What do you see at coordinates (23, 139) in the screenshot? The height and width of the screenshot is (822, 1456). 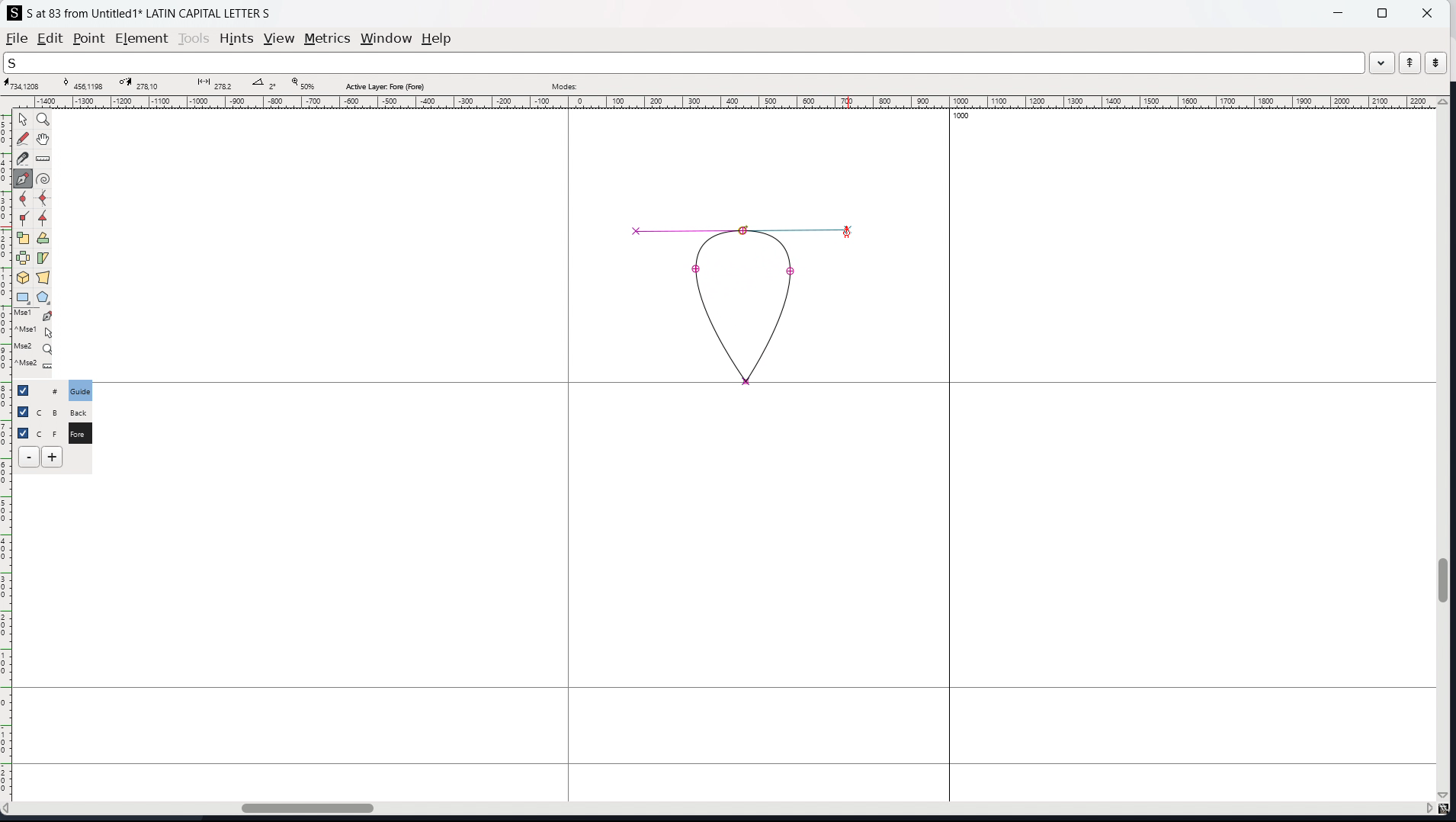 I see `draw a freehand curve` at bounding box center [23, 139].